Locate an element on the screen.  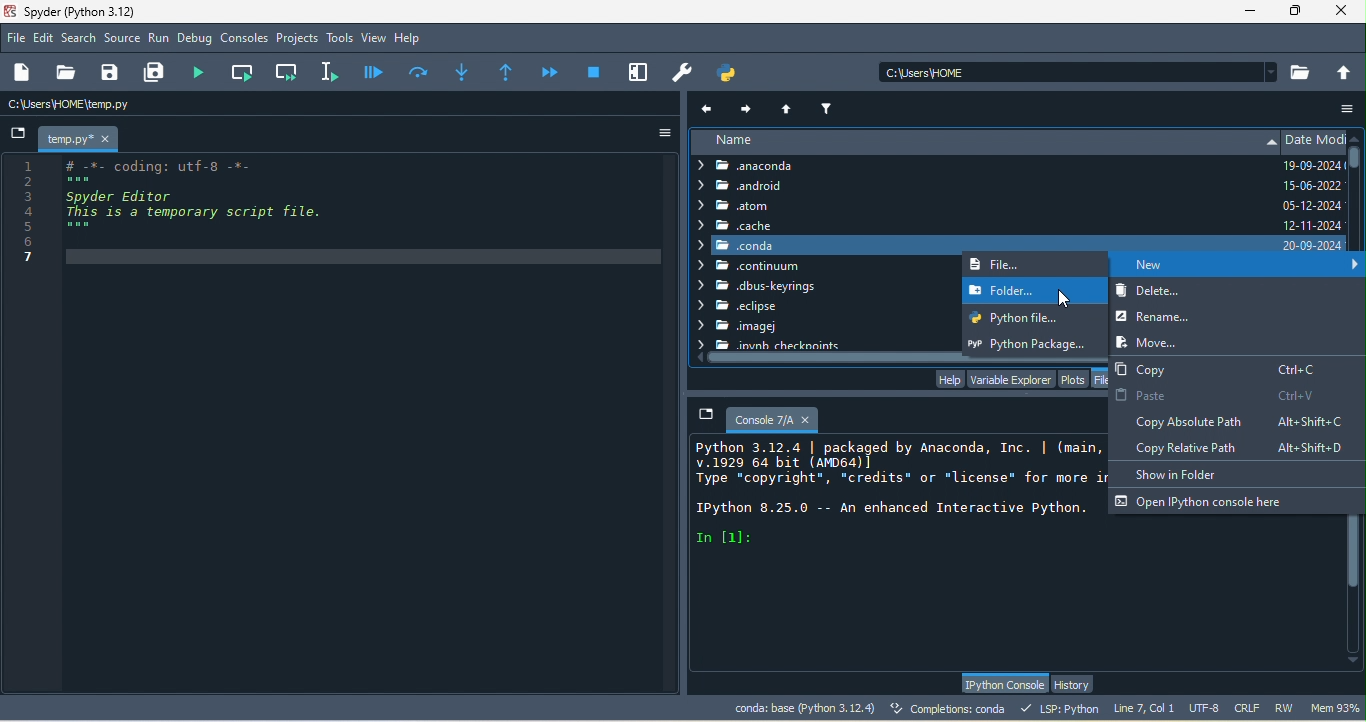
consoles is located at coordinates (245, 39).